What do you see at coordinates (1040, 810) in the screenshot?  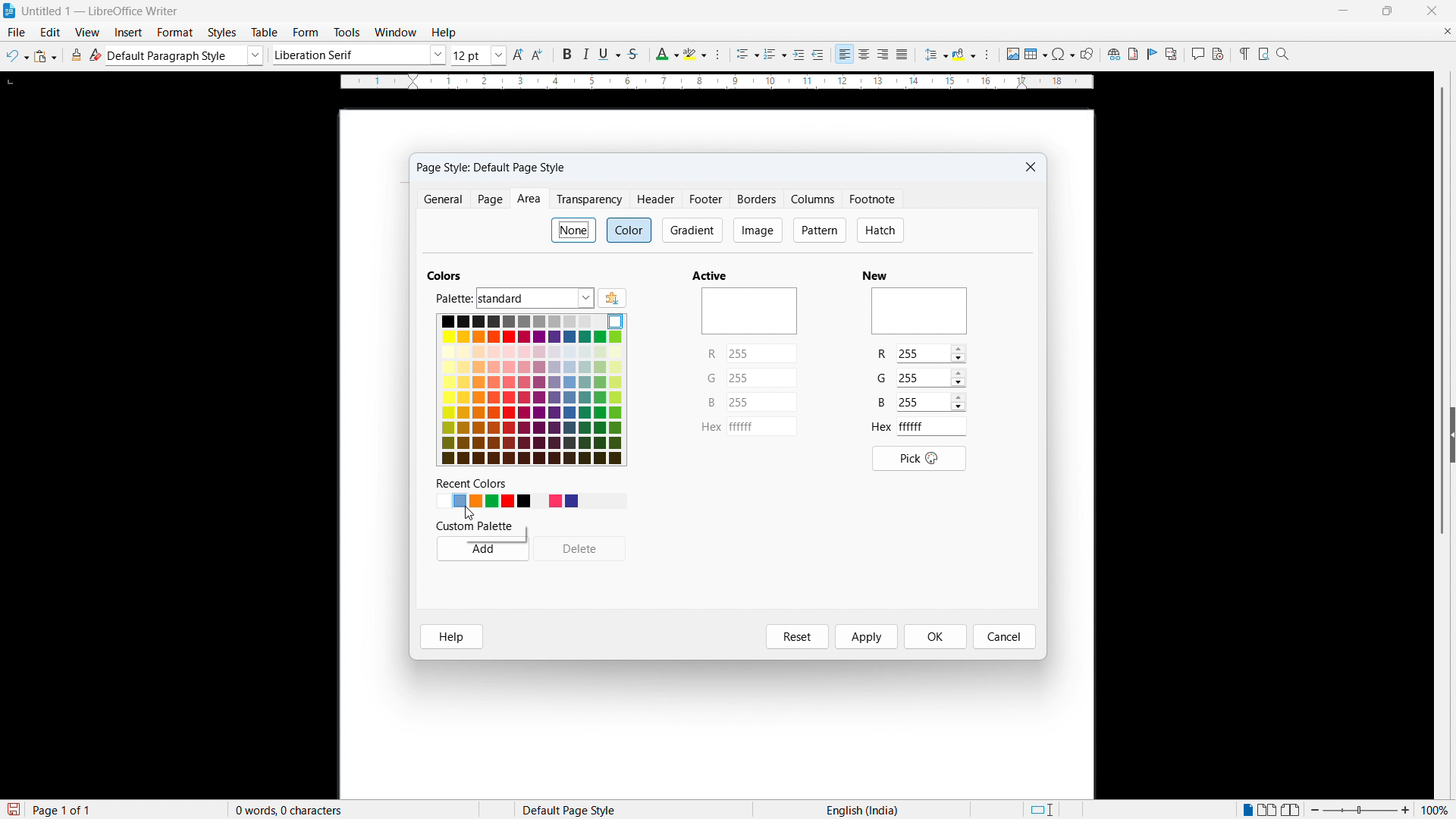 I see `Standard selection ` at bounding box center [1040, 810].